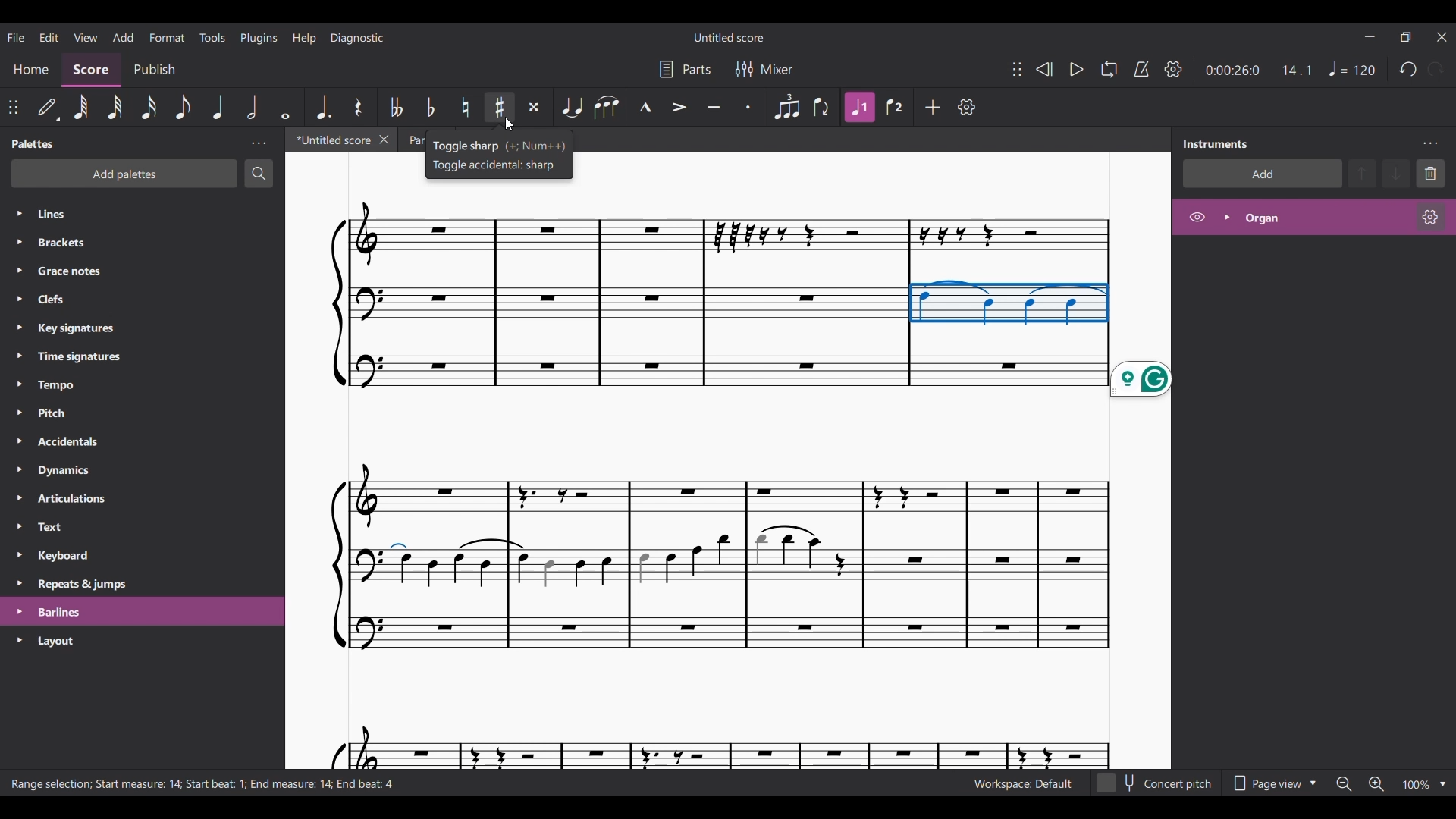 This screenshot has height=819, width=1456. Describe the element at coordinates (933, 106) in the screenshot. I see `Add` at that location.